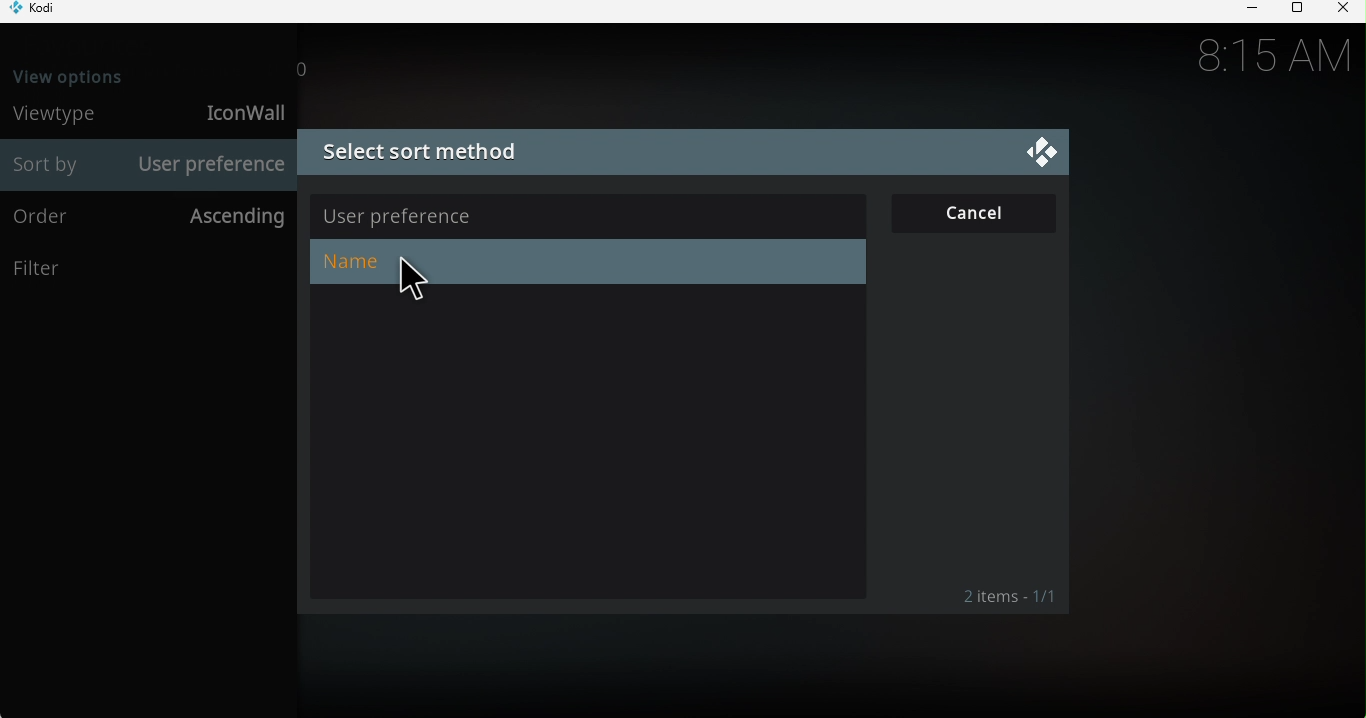 The width and height of the screenshot is (1366, 718). What do you see at coordinates (649, 154) in the screenshot?
I see `Select sort method` at bounding box center [649, 154].